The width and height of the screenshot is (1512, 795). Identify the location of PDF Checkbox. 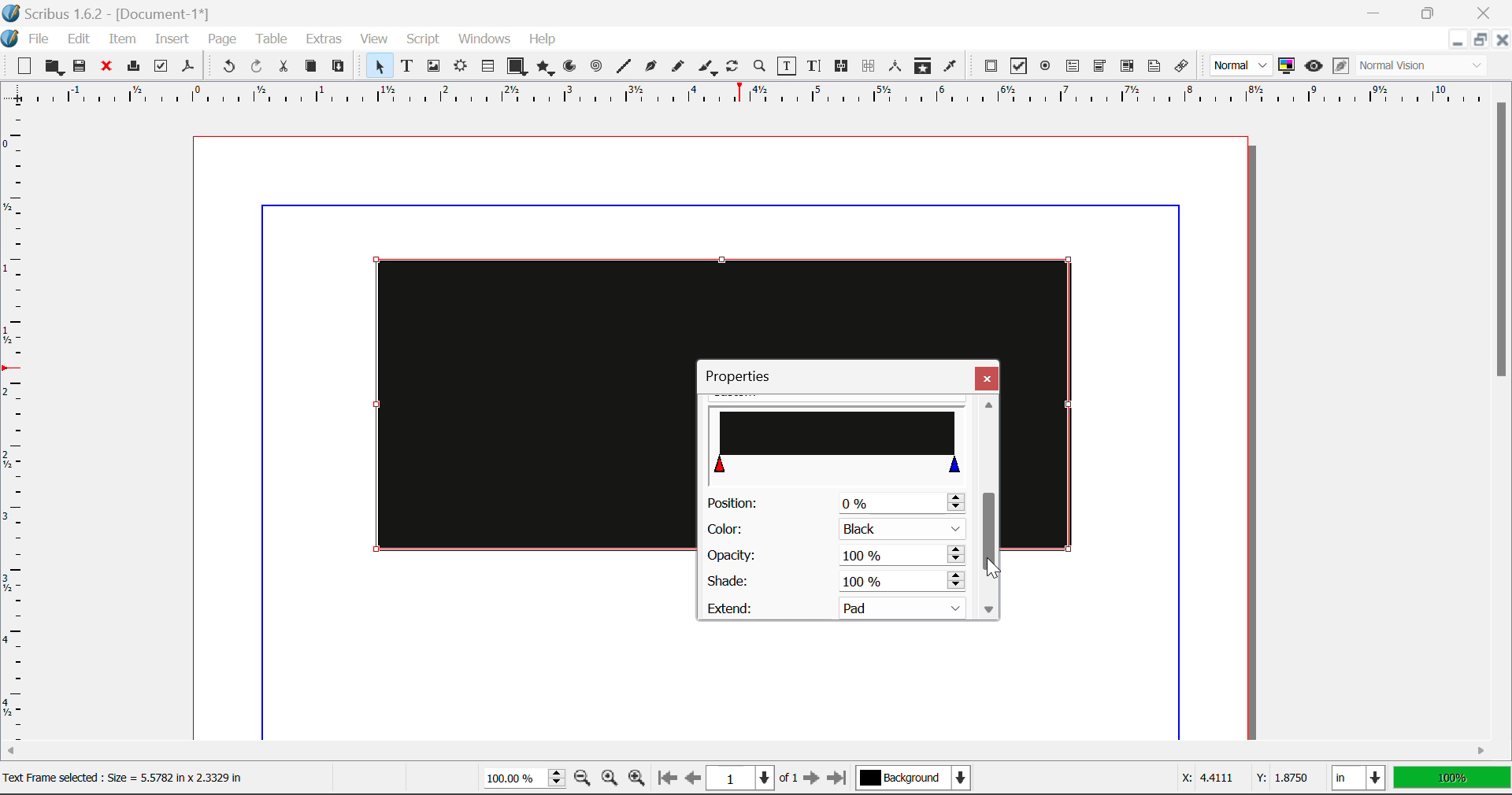
(1017, 66).